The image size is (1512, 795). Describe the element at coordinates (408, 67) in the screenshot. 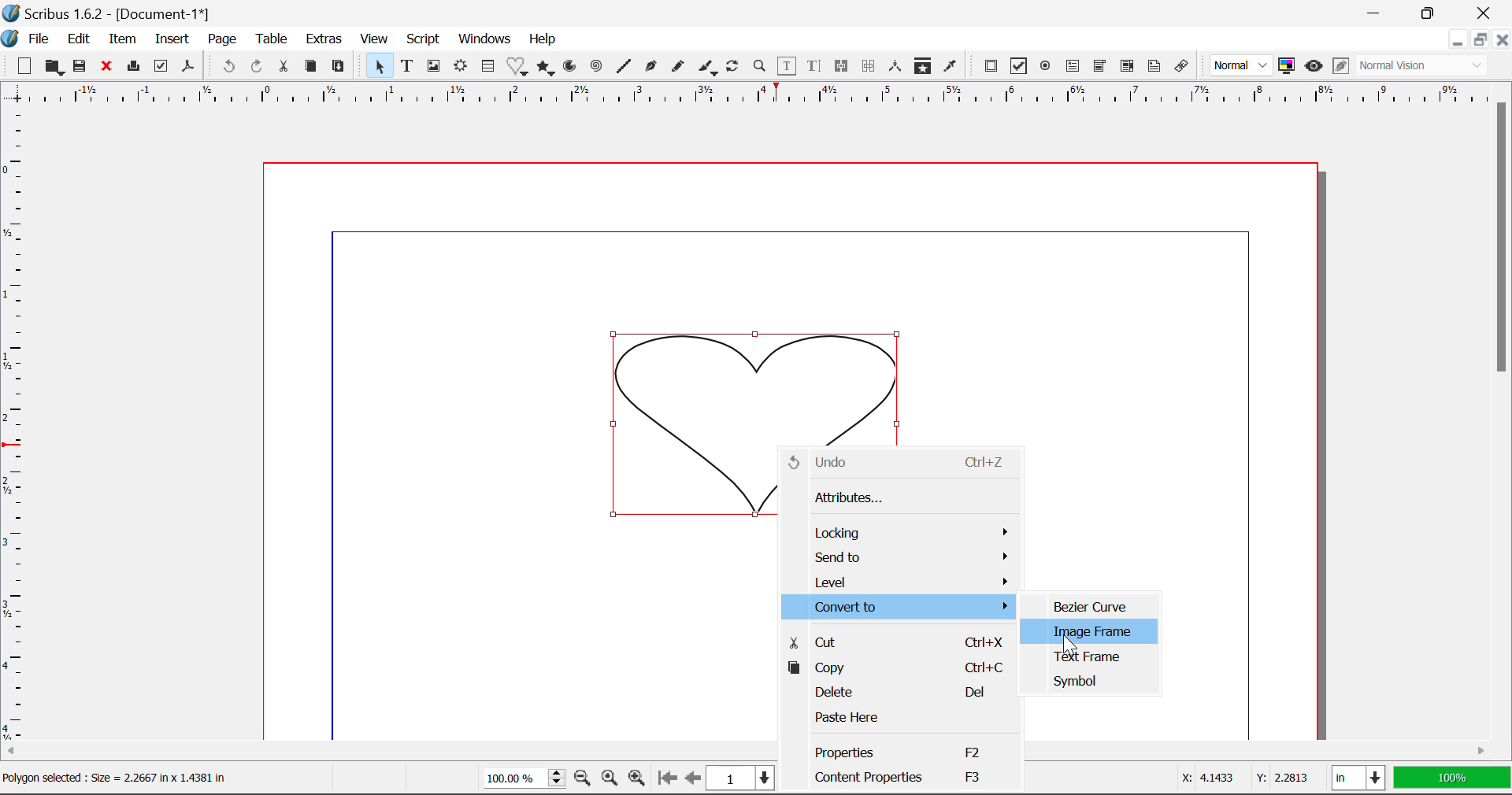

I see `Text Frames` at that location.